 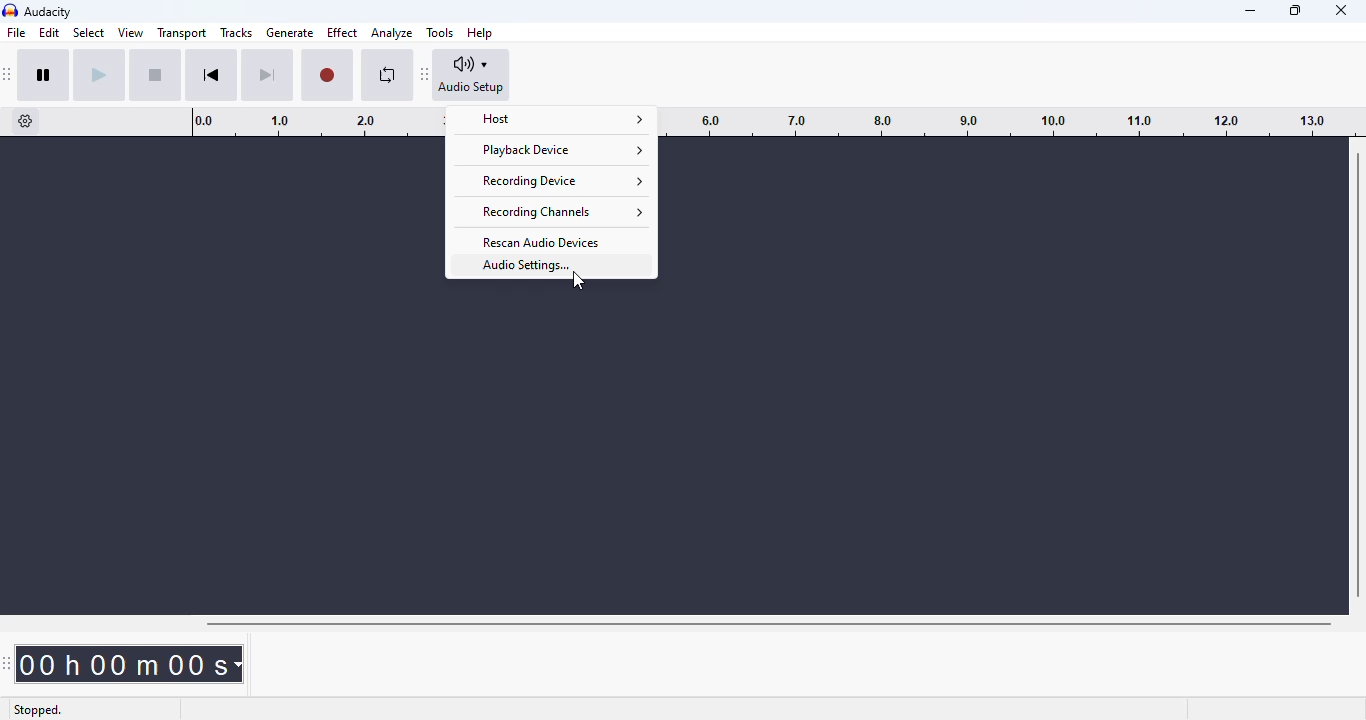 What do you see at coordinates (291, 33) in the screenshot?
I see `generate` at bounding box center [291, 33].